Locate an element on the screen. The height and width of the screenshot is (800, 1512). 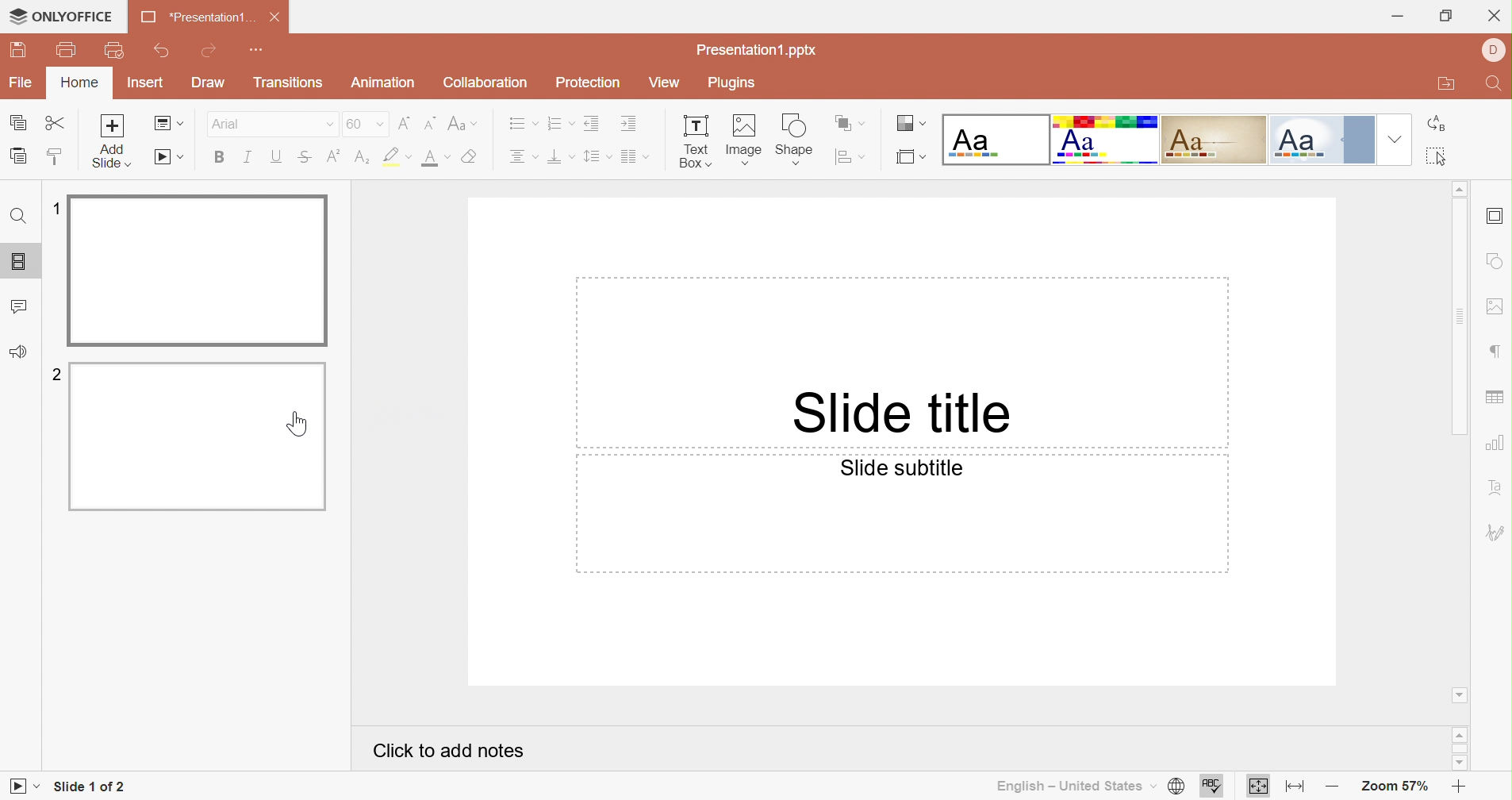
Basic is located at coordinates (1105, 140).